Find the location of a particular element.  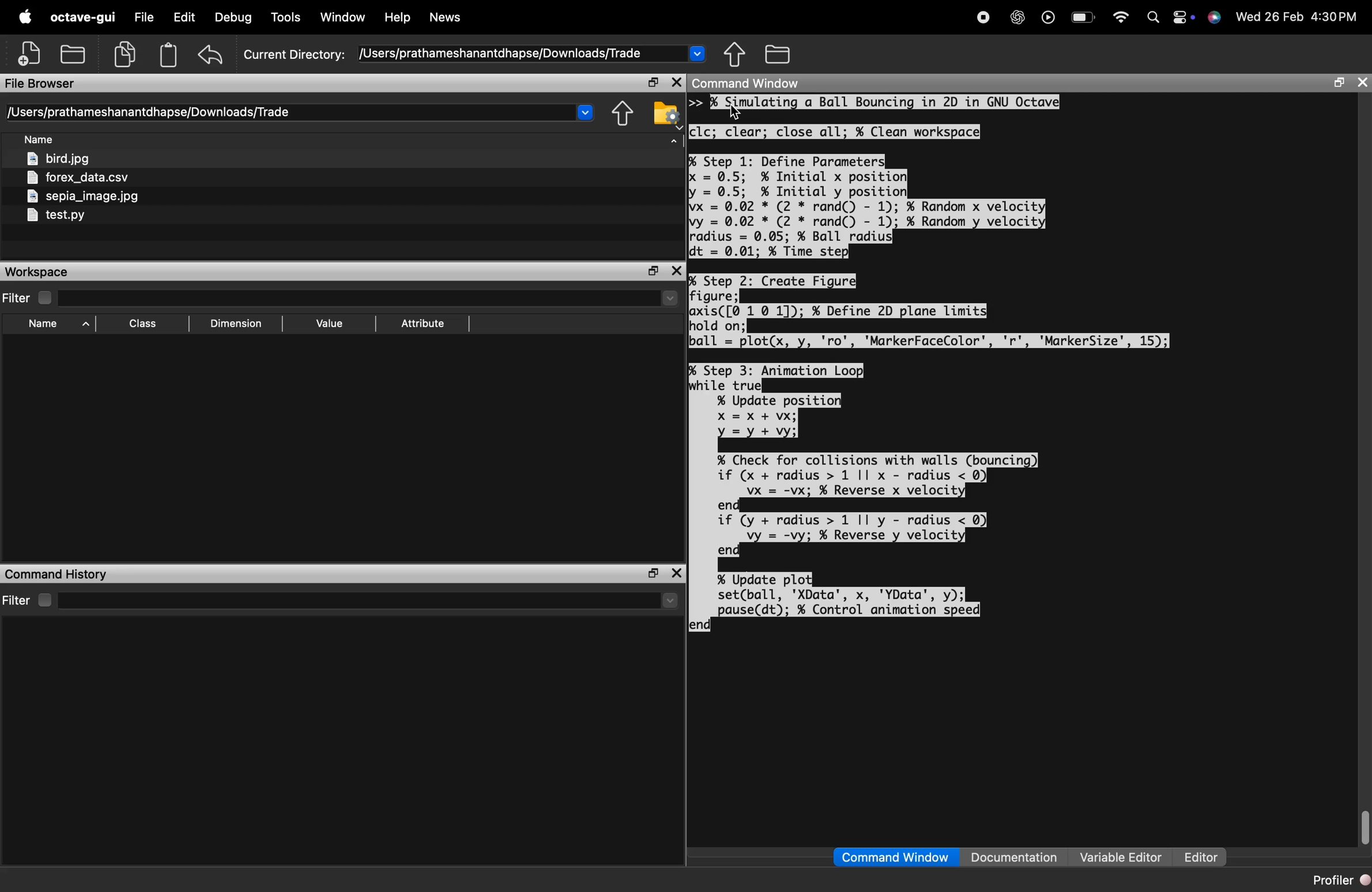

Value is located at coordinates (330, 325).